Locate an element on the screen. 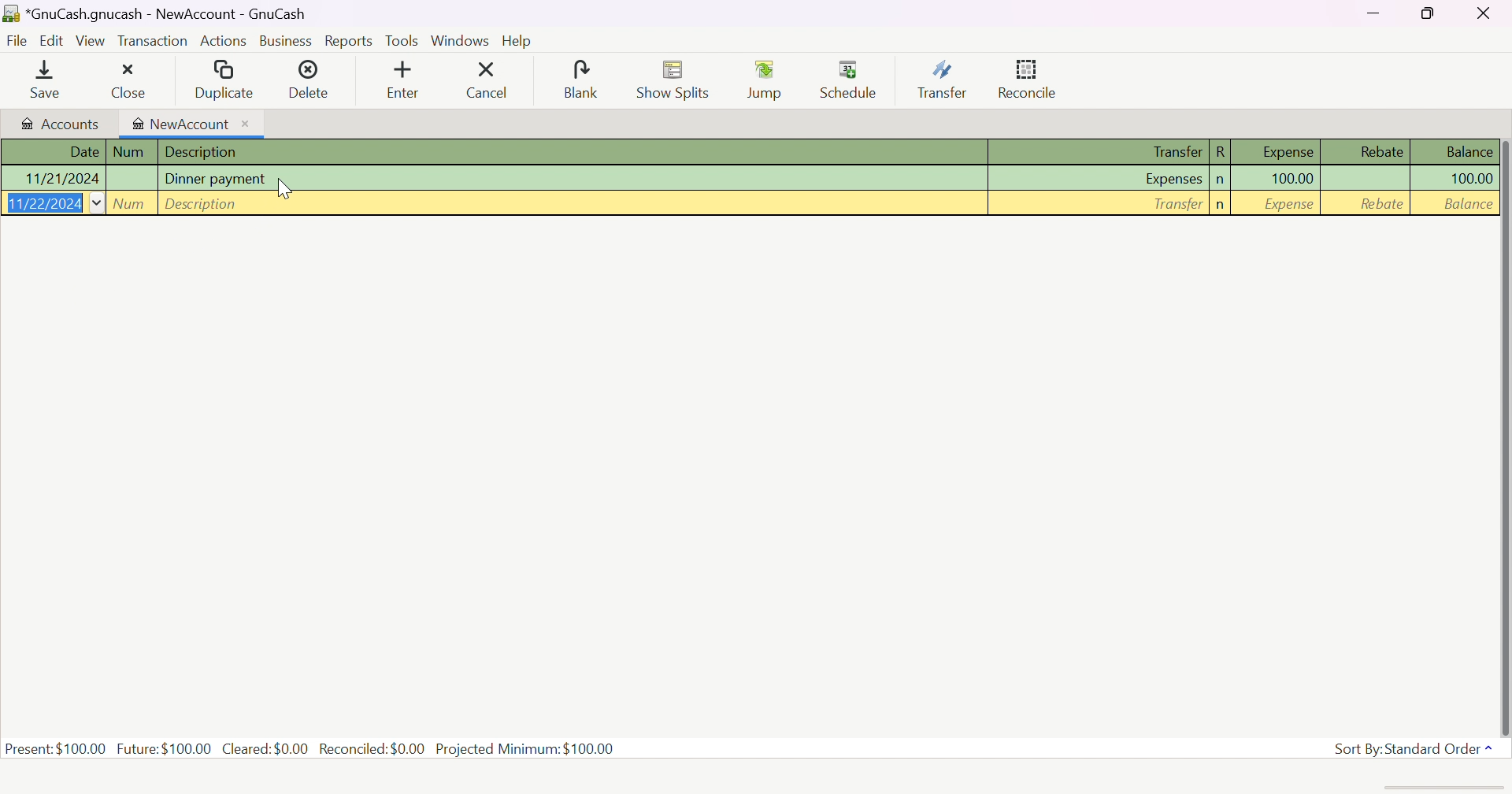  Balance is located at coordinates (1466, 202).